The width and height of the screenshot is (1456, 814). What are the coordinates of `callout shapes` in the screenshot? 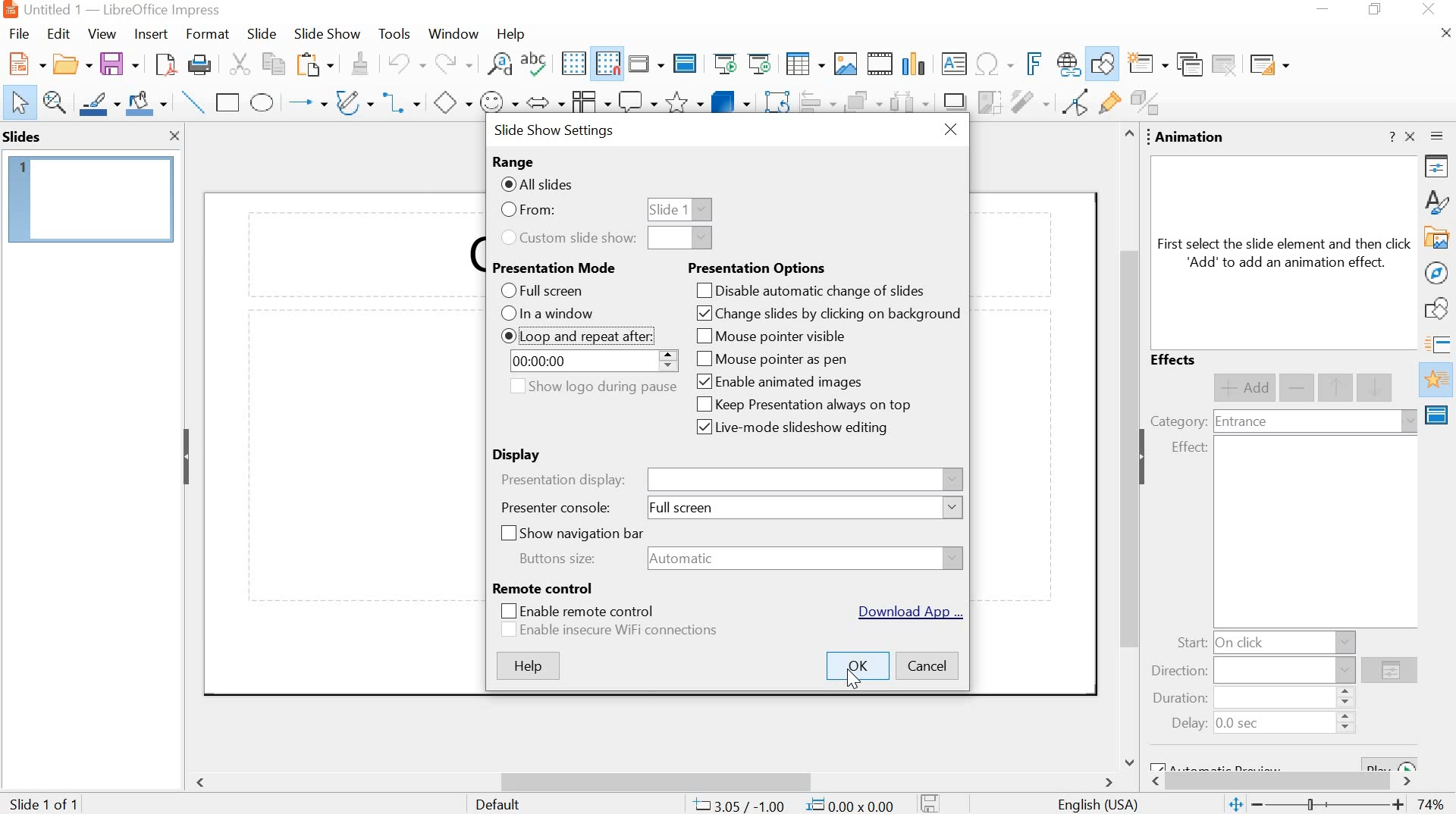 It's located at (638, 103).